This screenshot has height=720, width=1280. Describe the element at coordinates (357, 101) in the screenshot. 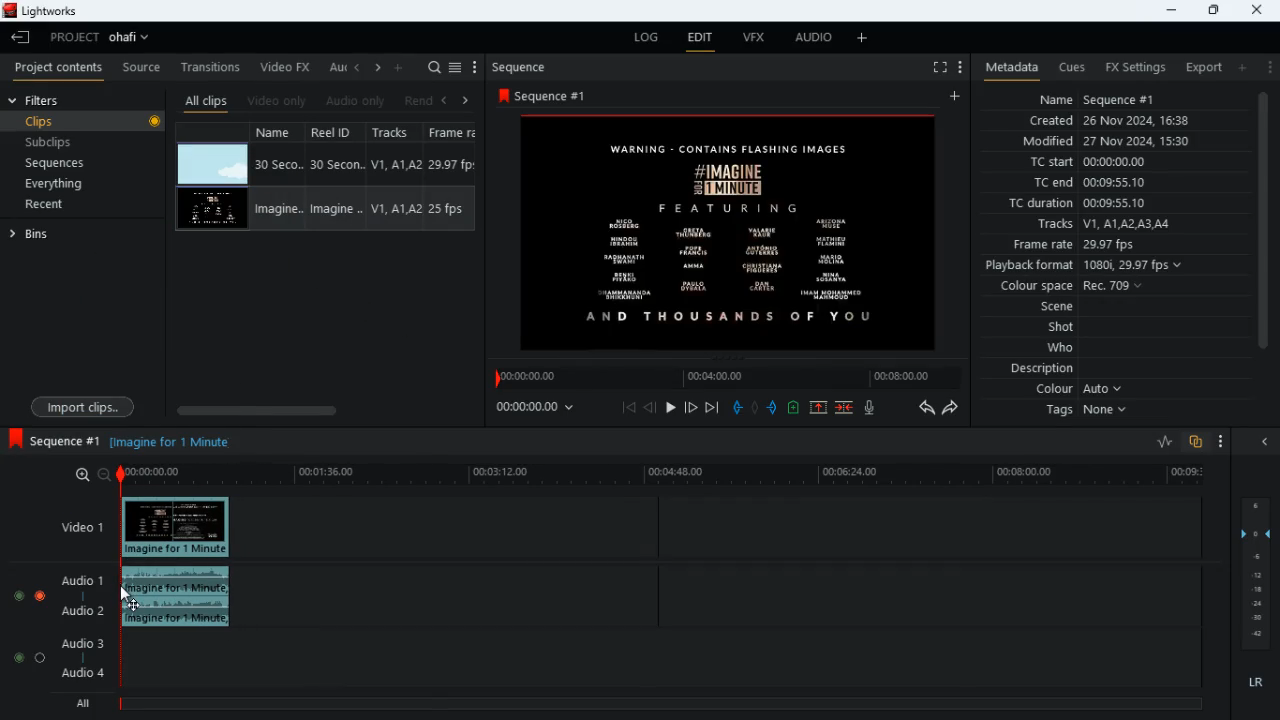

I see `audio only` at that location.